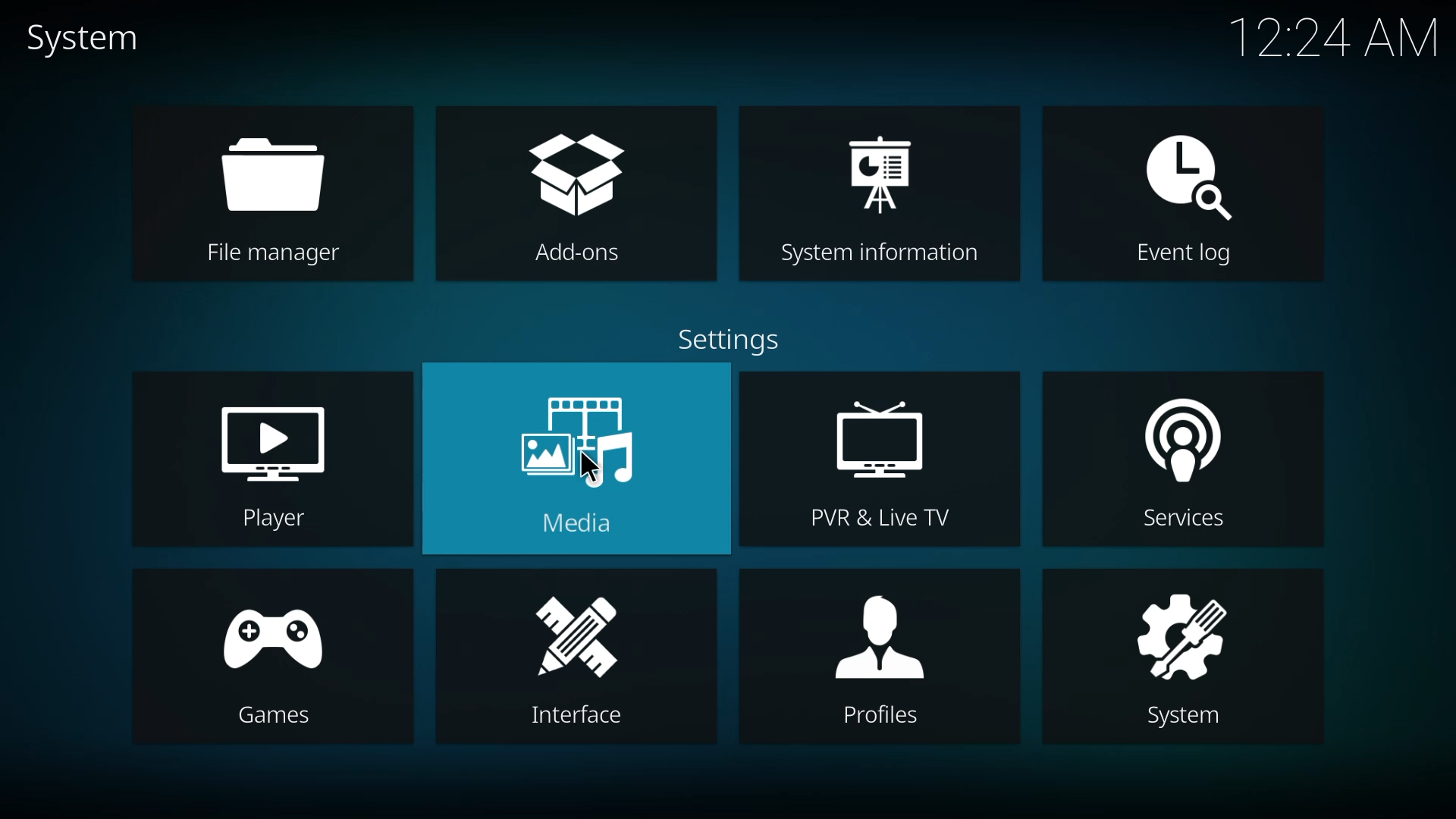 The height and width of the screenshot is (819, 1456). What do you see at coordinates (279, 462) in the screenshot?
I see `player` at bounding box center [279, 462].